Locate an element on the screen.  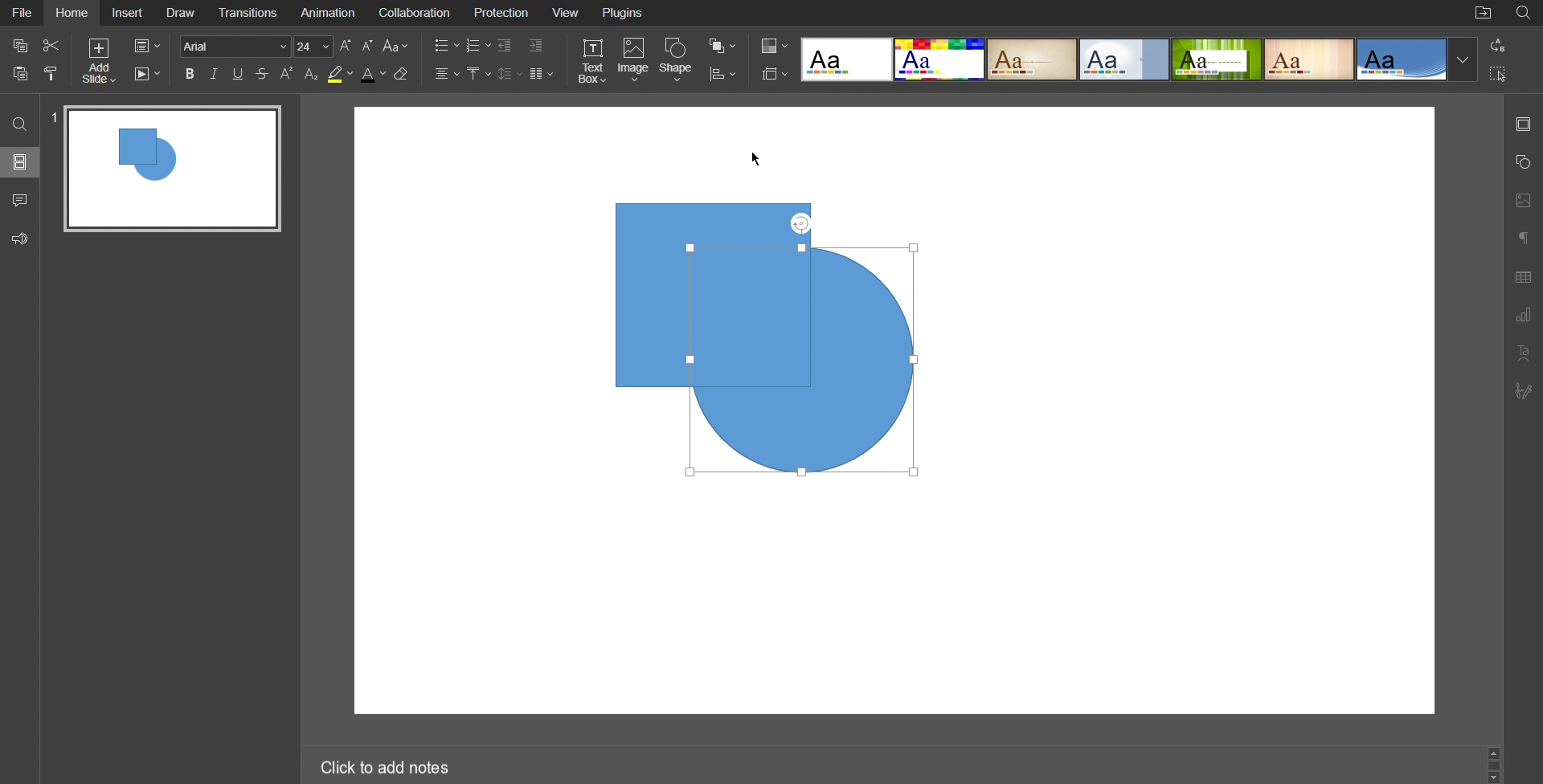
Underline is located at coordinates (239, 74).